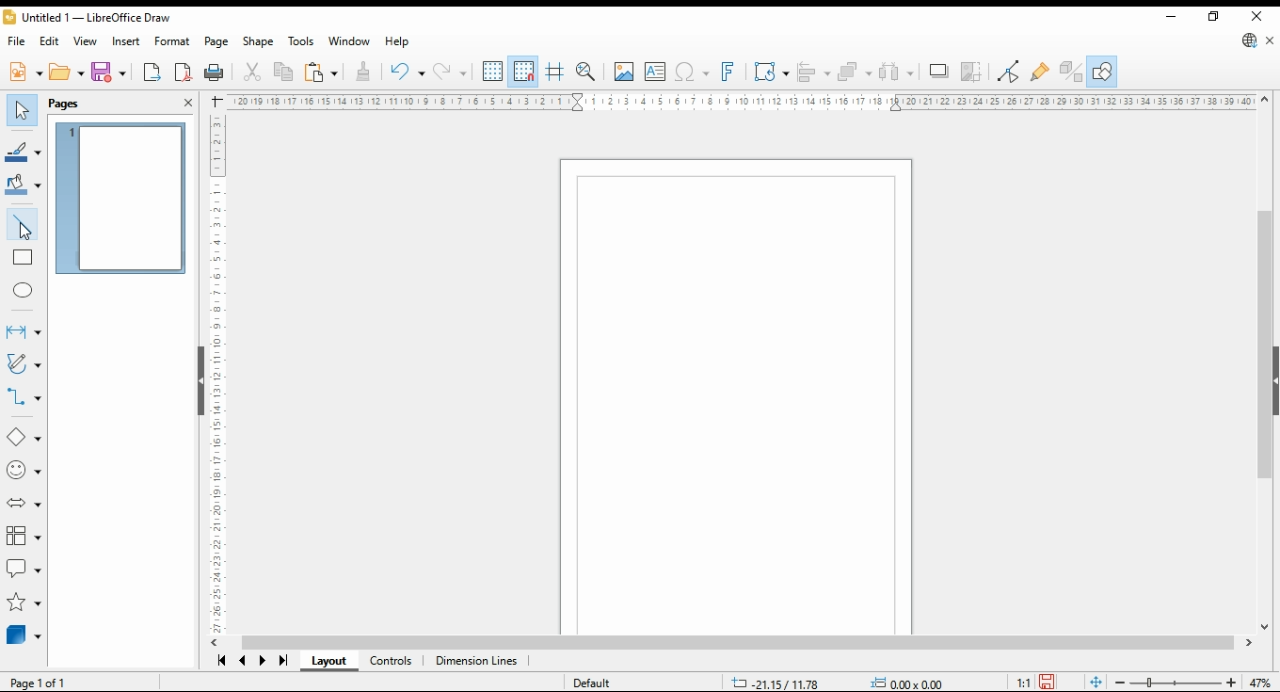 Image resolution: width=1280 pixels, height=692 pixels. Describe the element at coordinates (22, 110) in the screenshot. I see `select` at that location.